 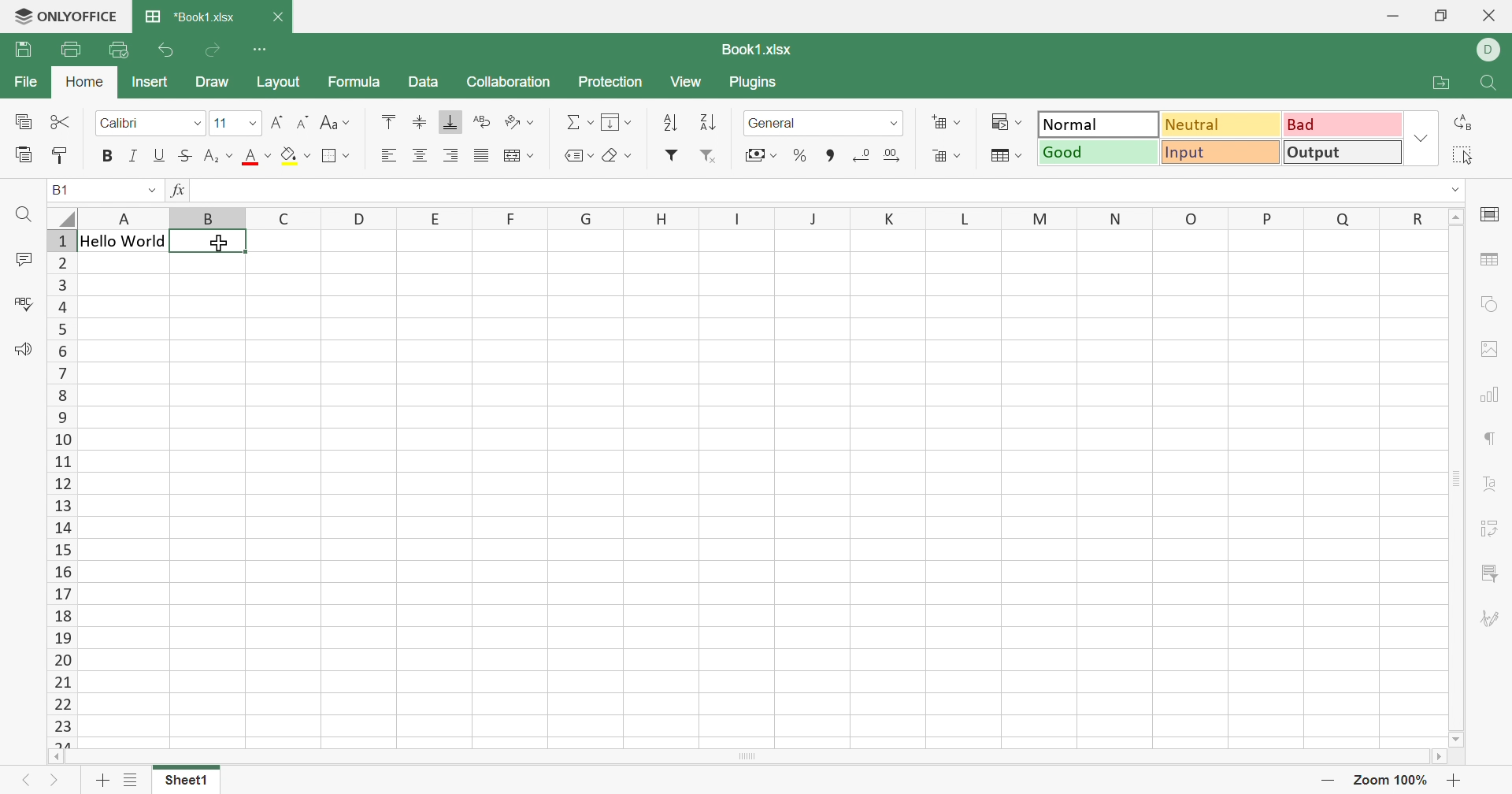 I want to click on Scroll bar, so click(x=1458, y=478).